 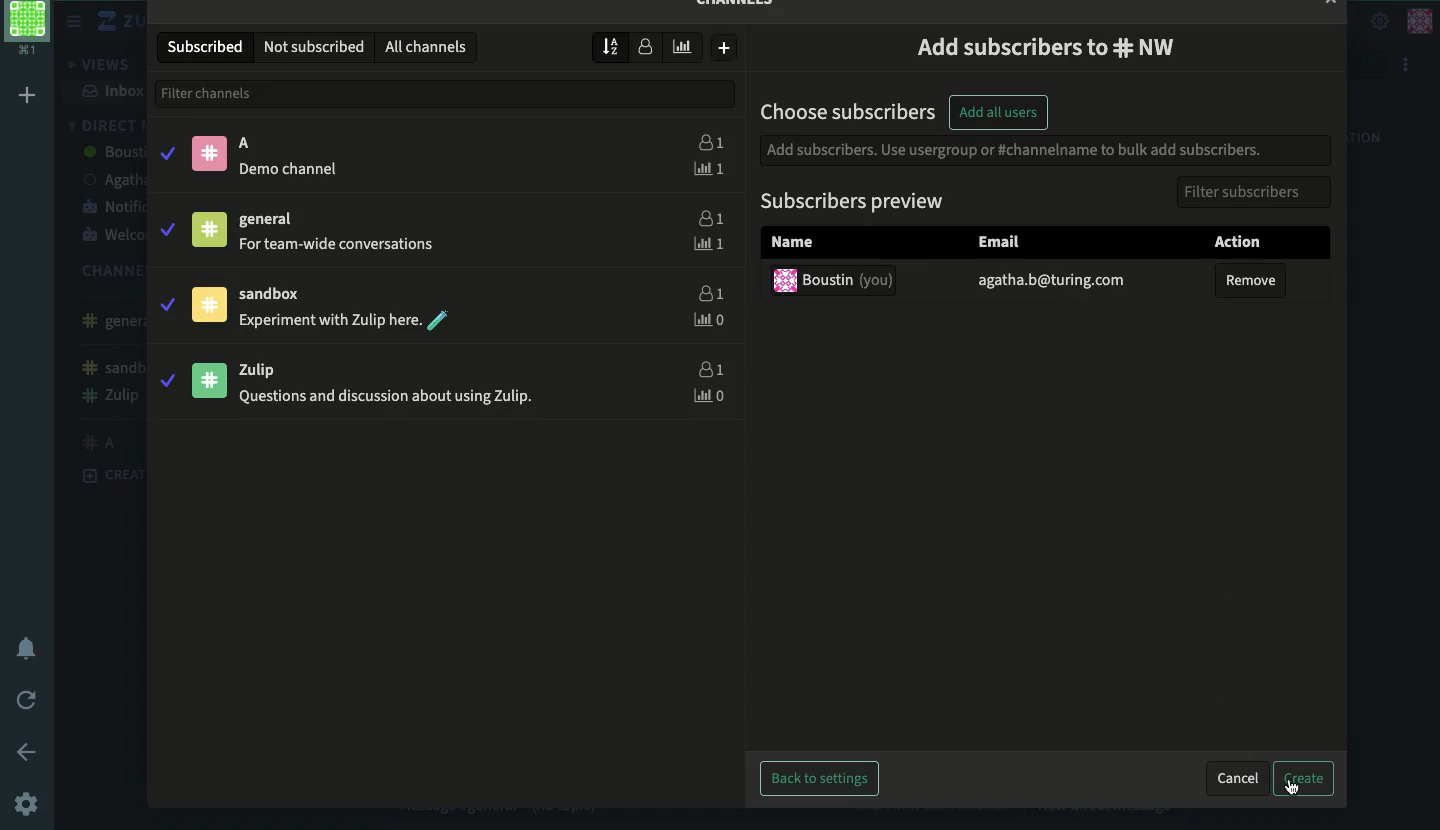 I want to click on Zulip, so click(x=267, y=371).